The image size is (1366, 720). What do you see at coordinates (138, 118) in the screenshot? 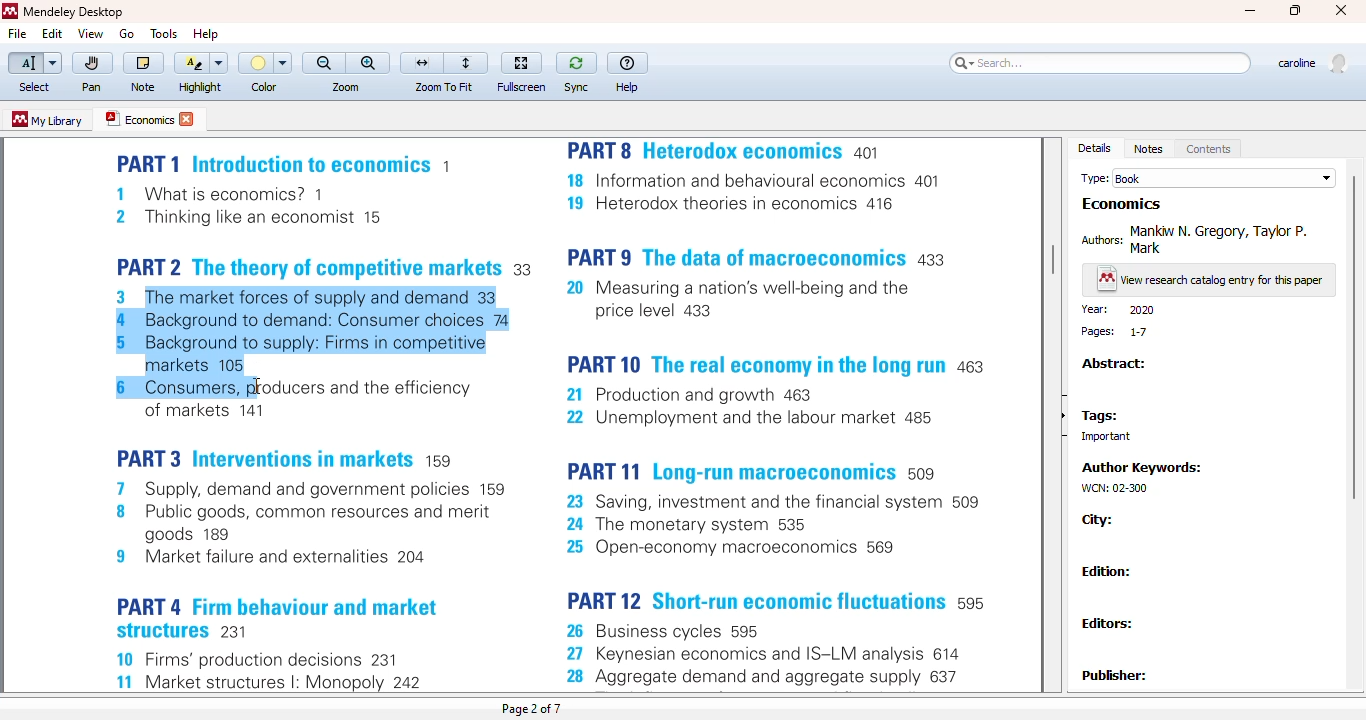
I see `economics` at bounding box center [138, 118].